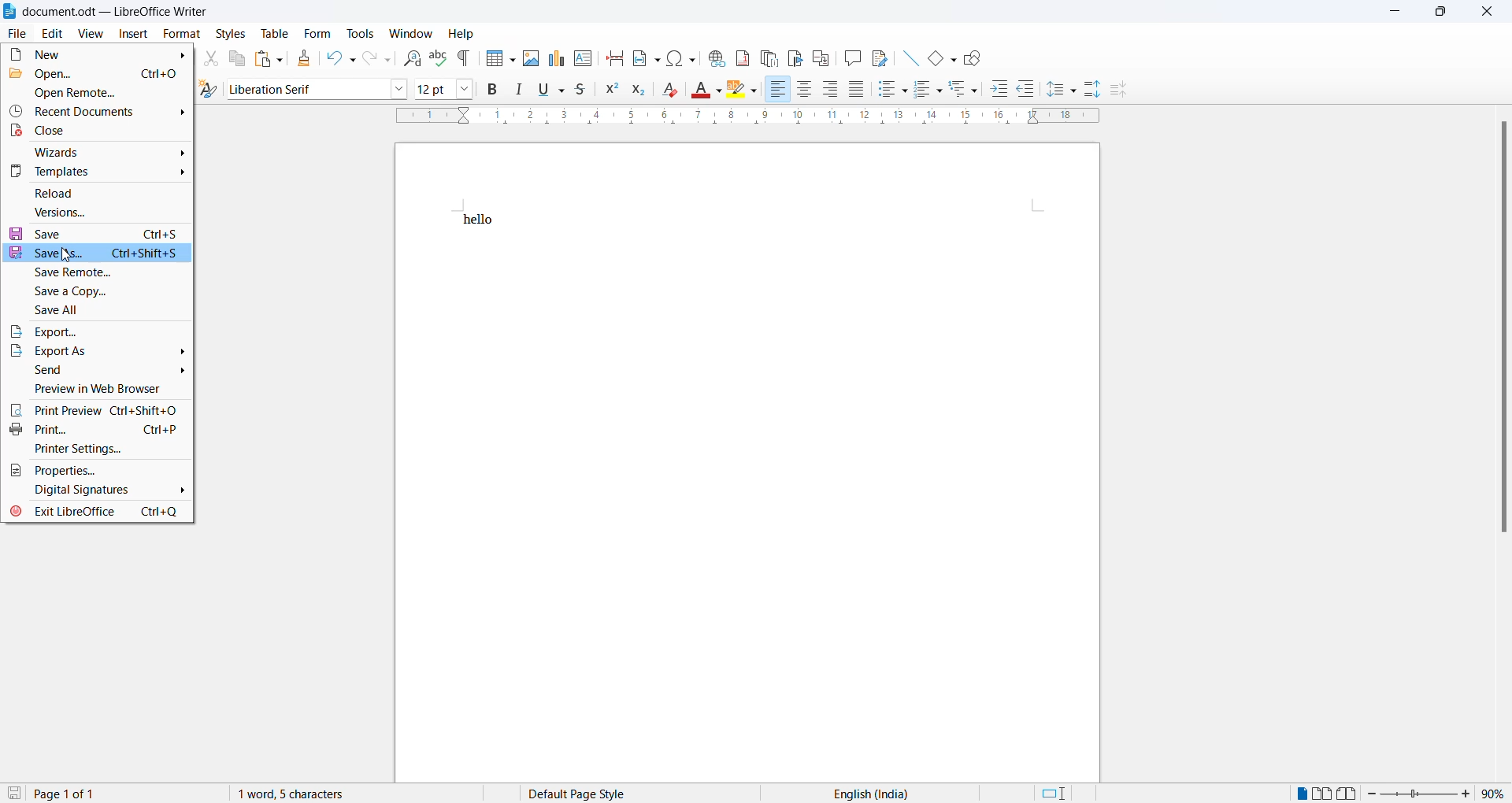 The width and height of the screenshot is (1512, 803). Describe the element at coordinates (767, 58) in the screenshot. I see `insert endnote` at that location.